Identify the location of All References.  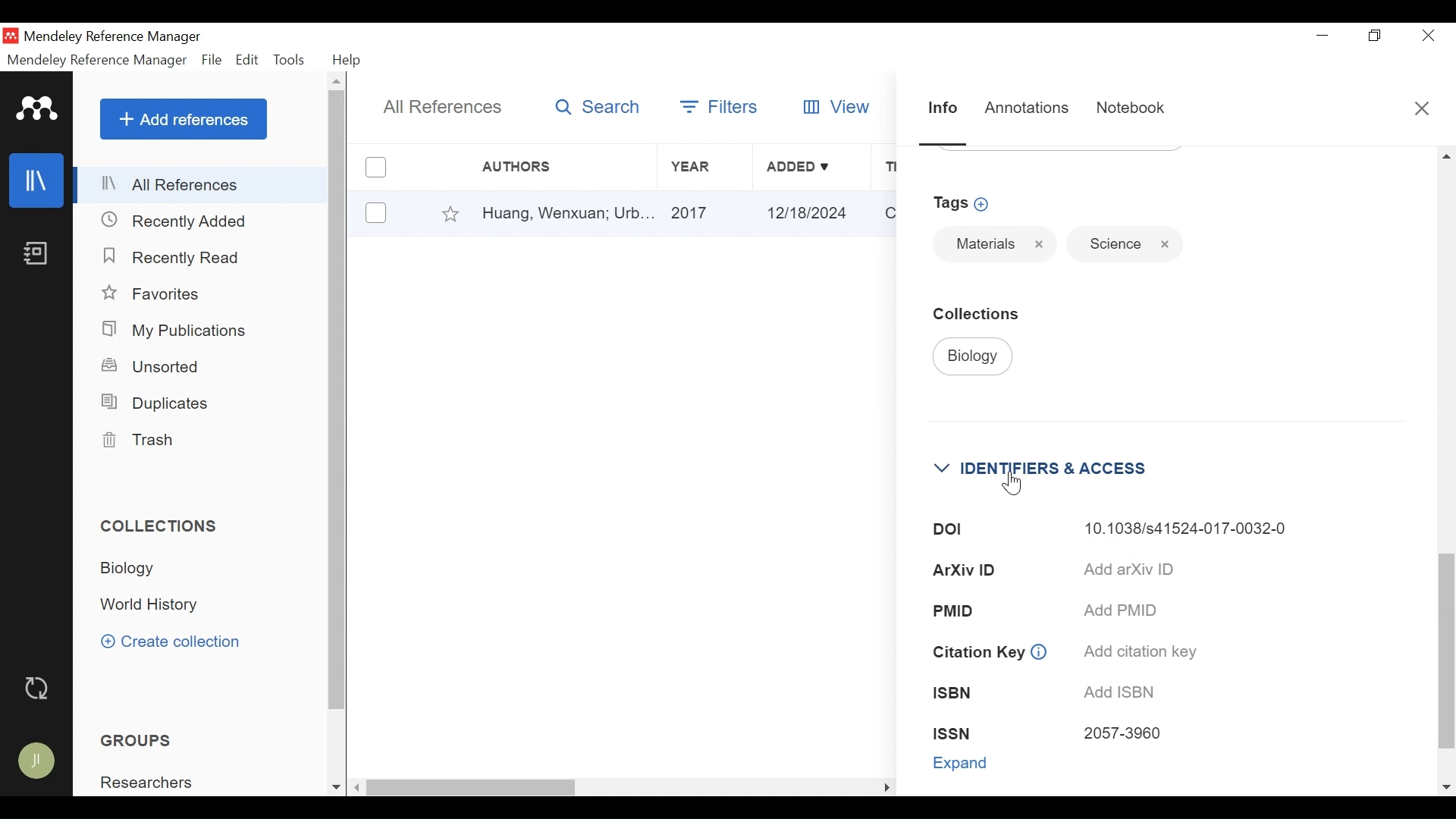
(202, 184).